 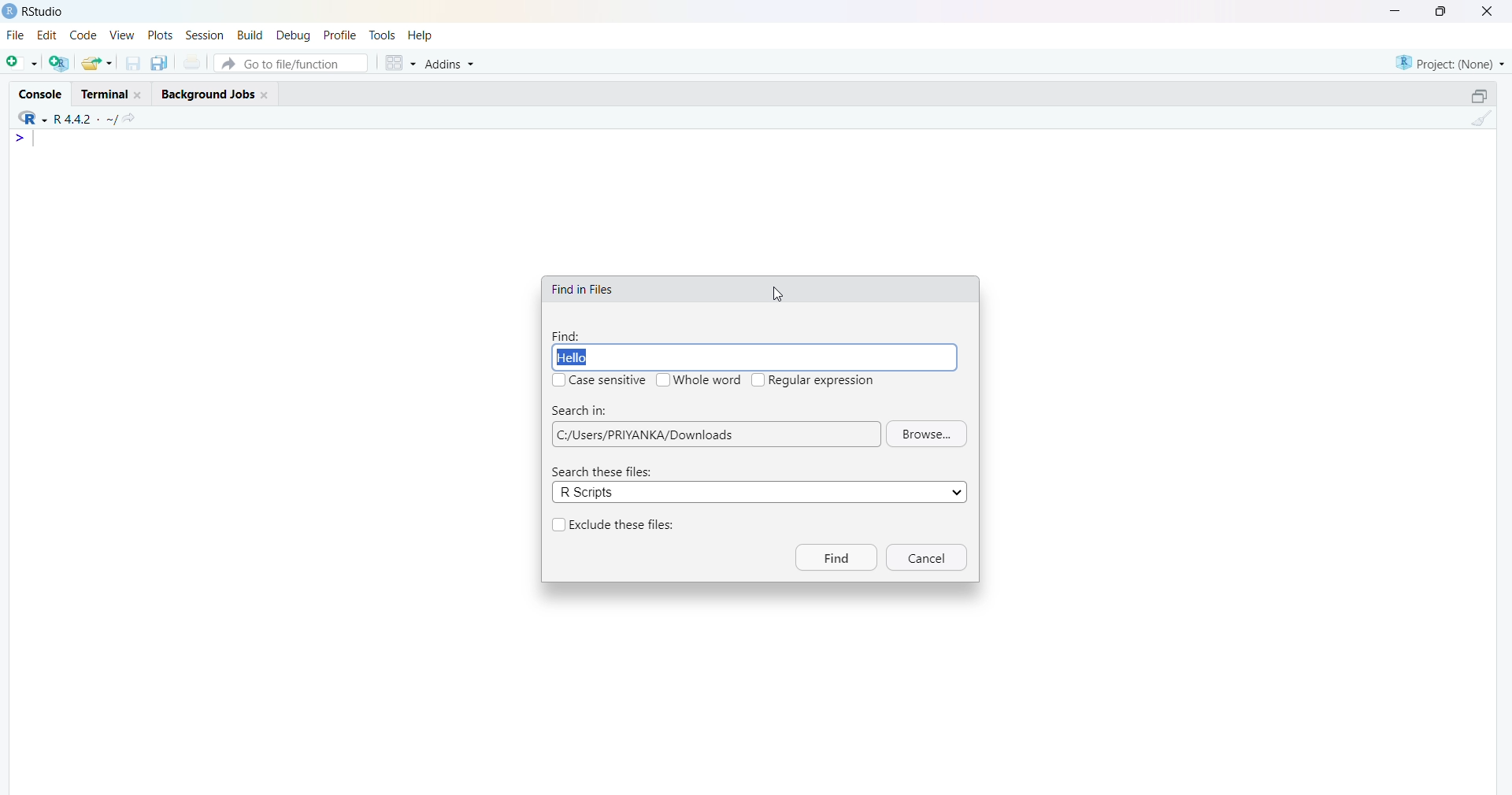 I want to click on code, so click(x=83, y=35).